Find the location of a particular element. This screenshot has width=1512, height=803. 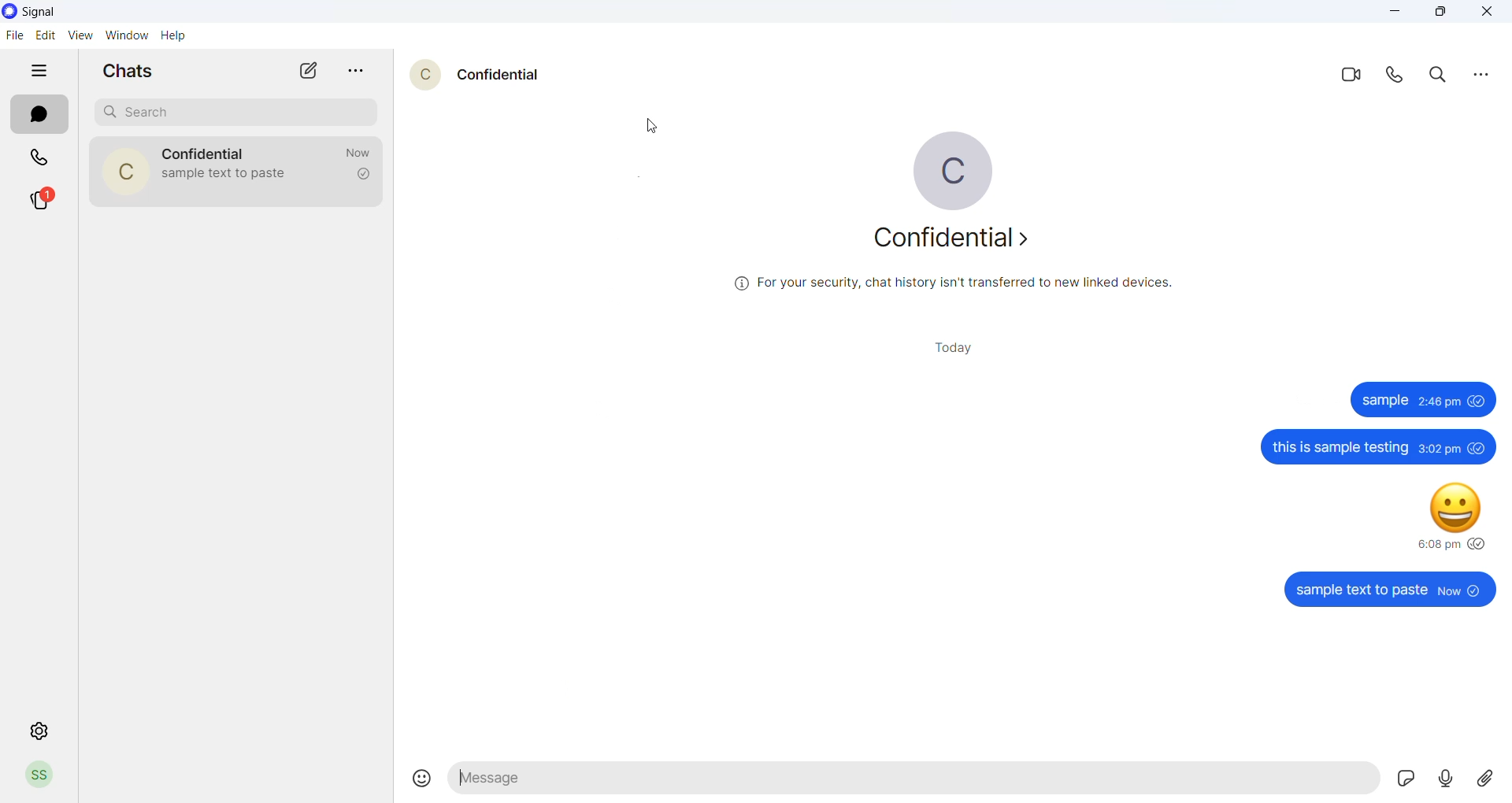

sample is located at coordinates (1429, 398).